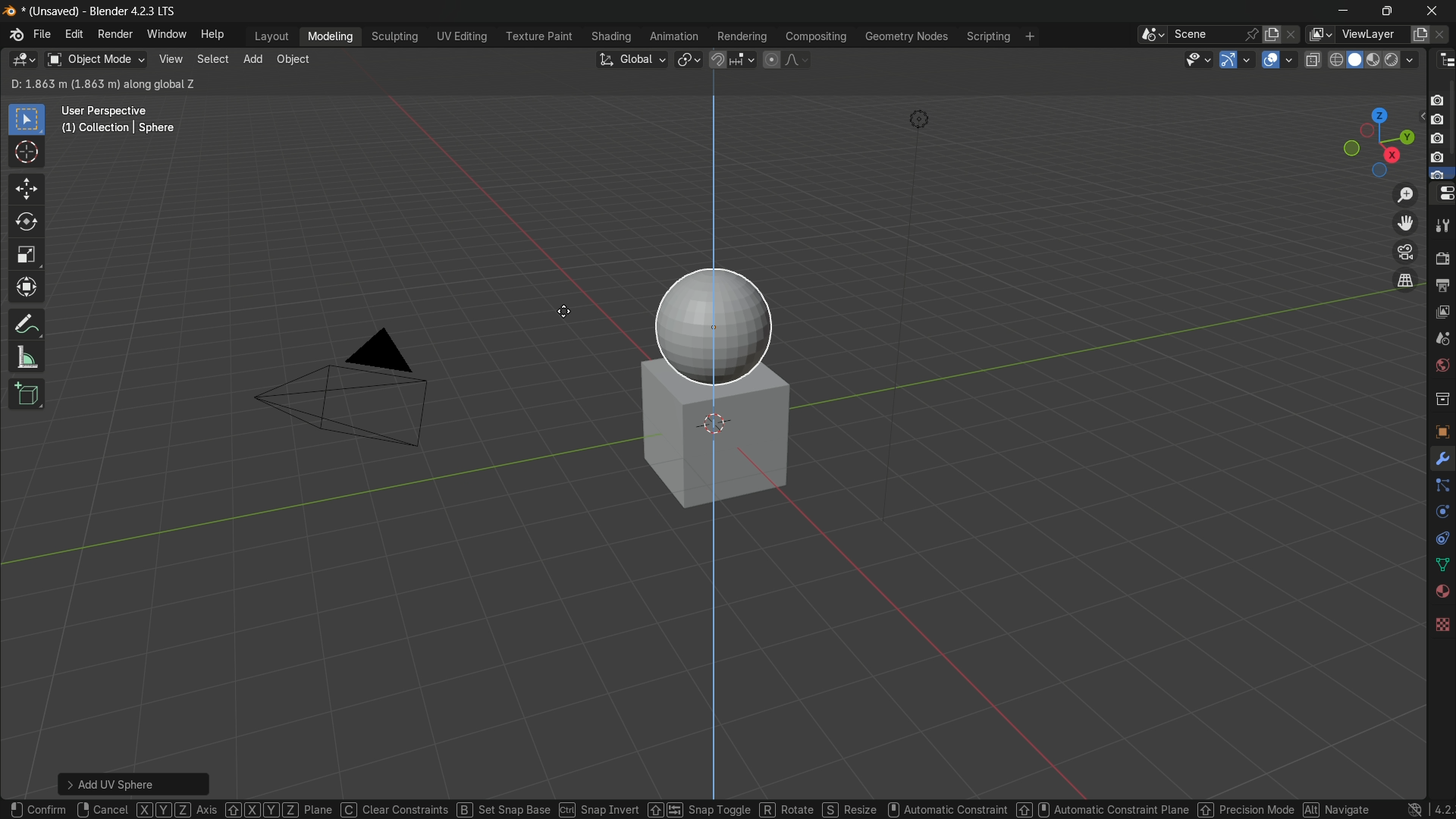 This screenshot has width=1456, height=819. What do you see at coordinates (1276, 34) in the screenshot?
I see `new scene` at bounding box center [1276, 34].